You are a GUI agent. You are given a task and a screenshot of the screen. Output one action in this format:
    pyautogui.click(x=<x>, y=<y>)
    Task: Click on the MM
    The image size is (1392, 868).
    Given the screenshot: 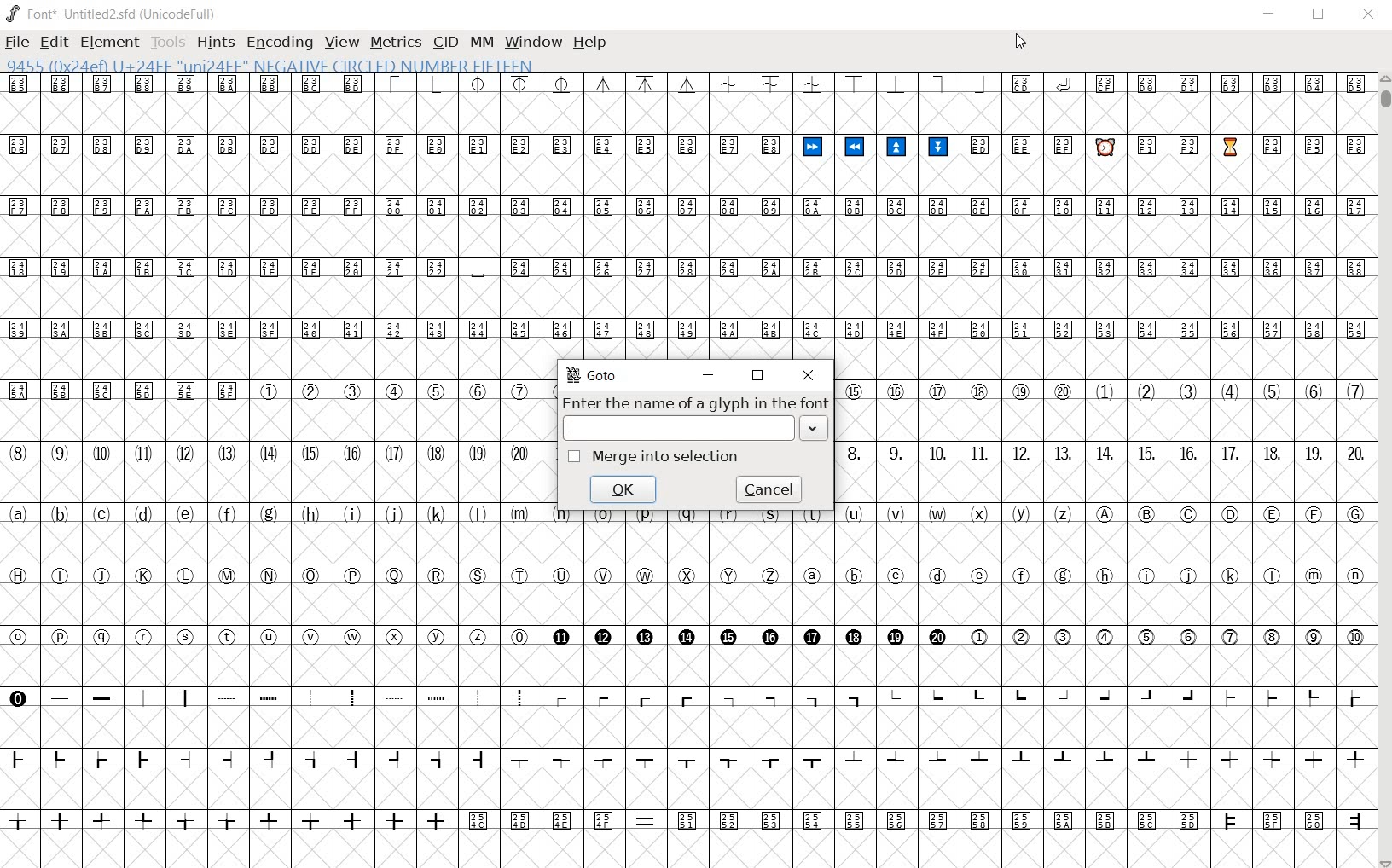 What is the action you would take?
    pyautogui.click(x=481, y=40)
    